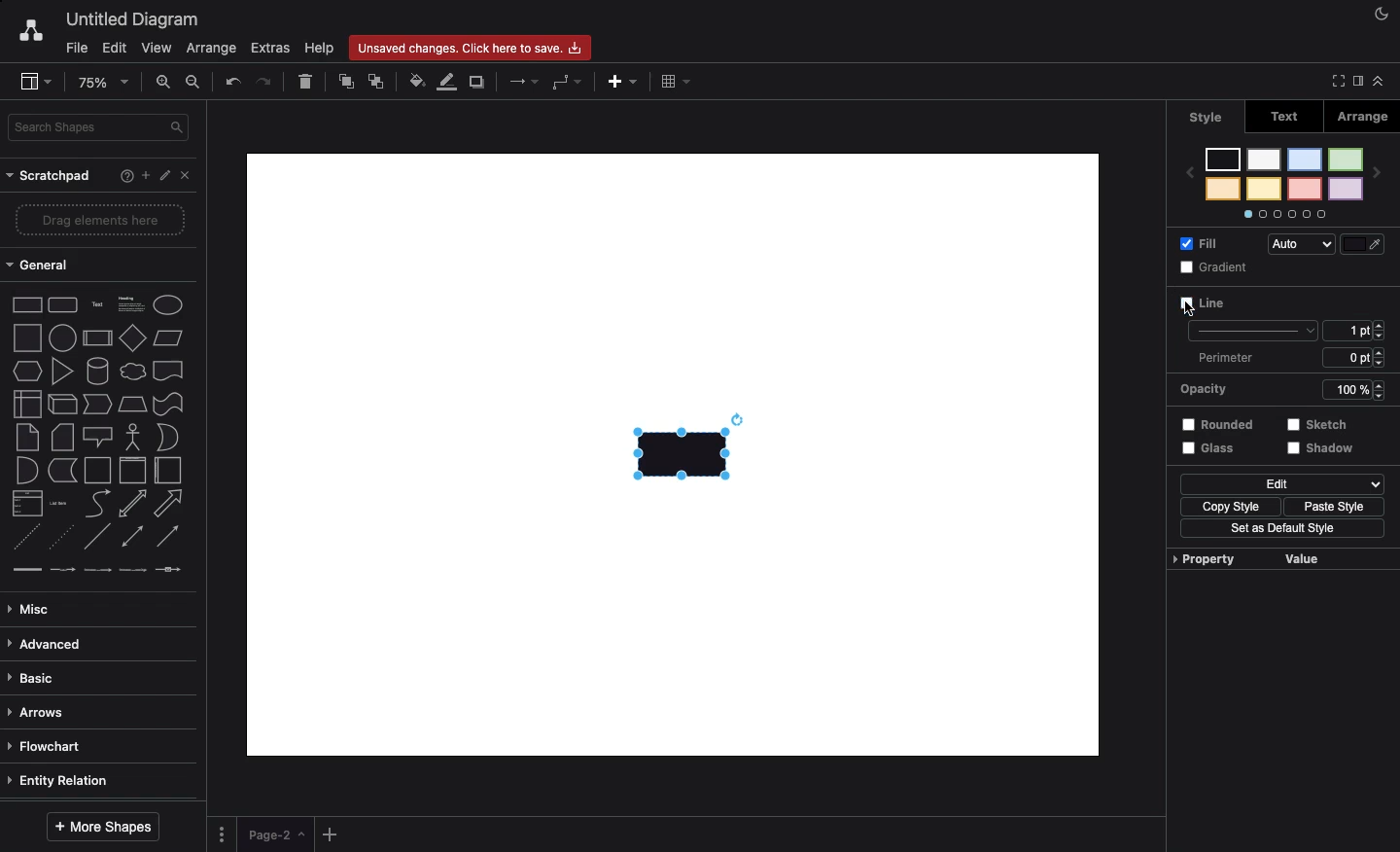 Image resolution: width=1400 pixels, height=852 pixels. I want to click on Delete, so click(310, 84).